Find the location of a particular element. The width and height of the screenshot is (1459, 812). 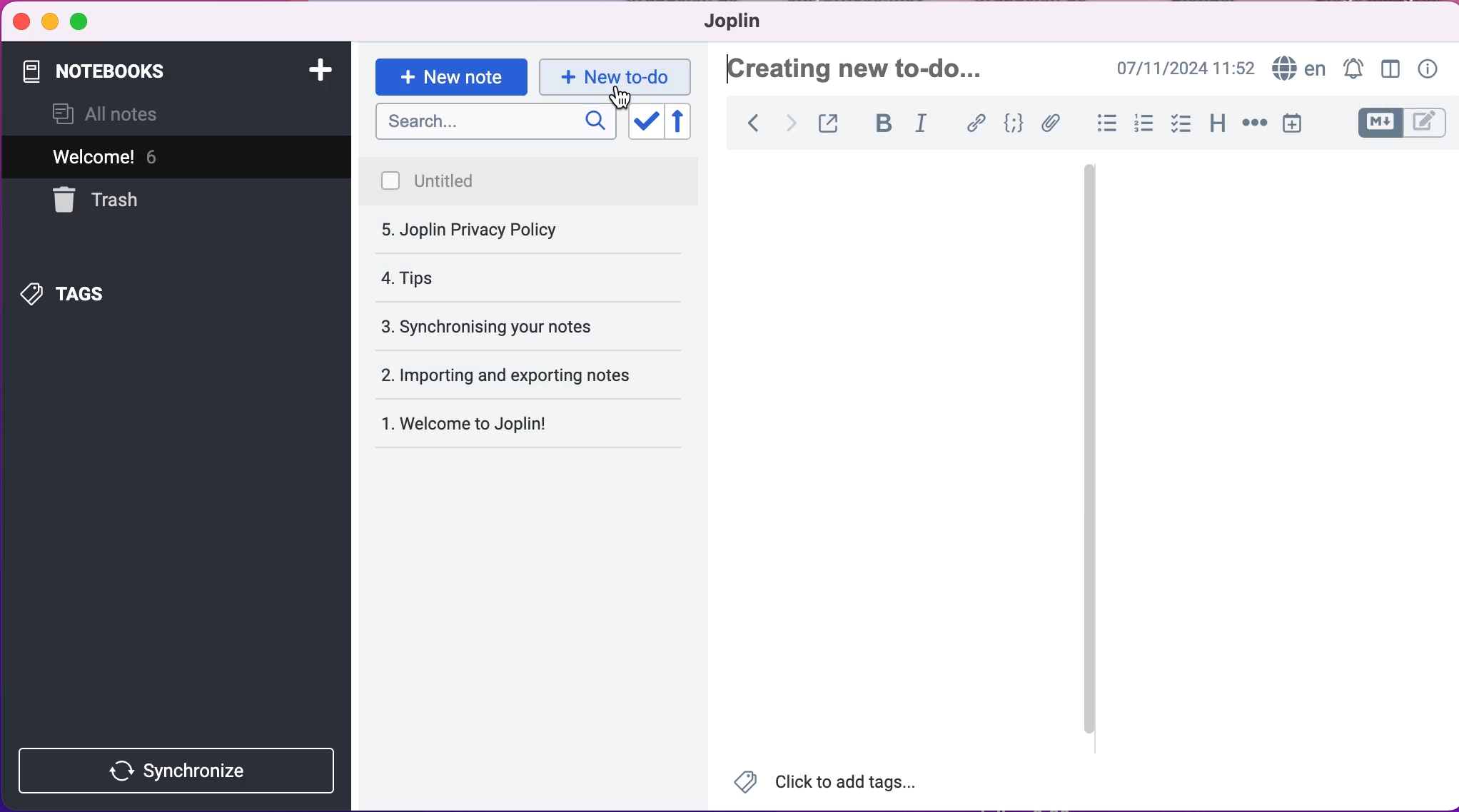

synchronize is located at coordinates (181, 770).